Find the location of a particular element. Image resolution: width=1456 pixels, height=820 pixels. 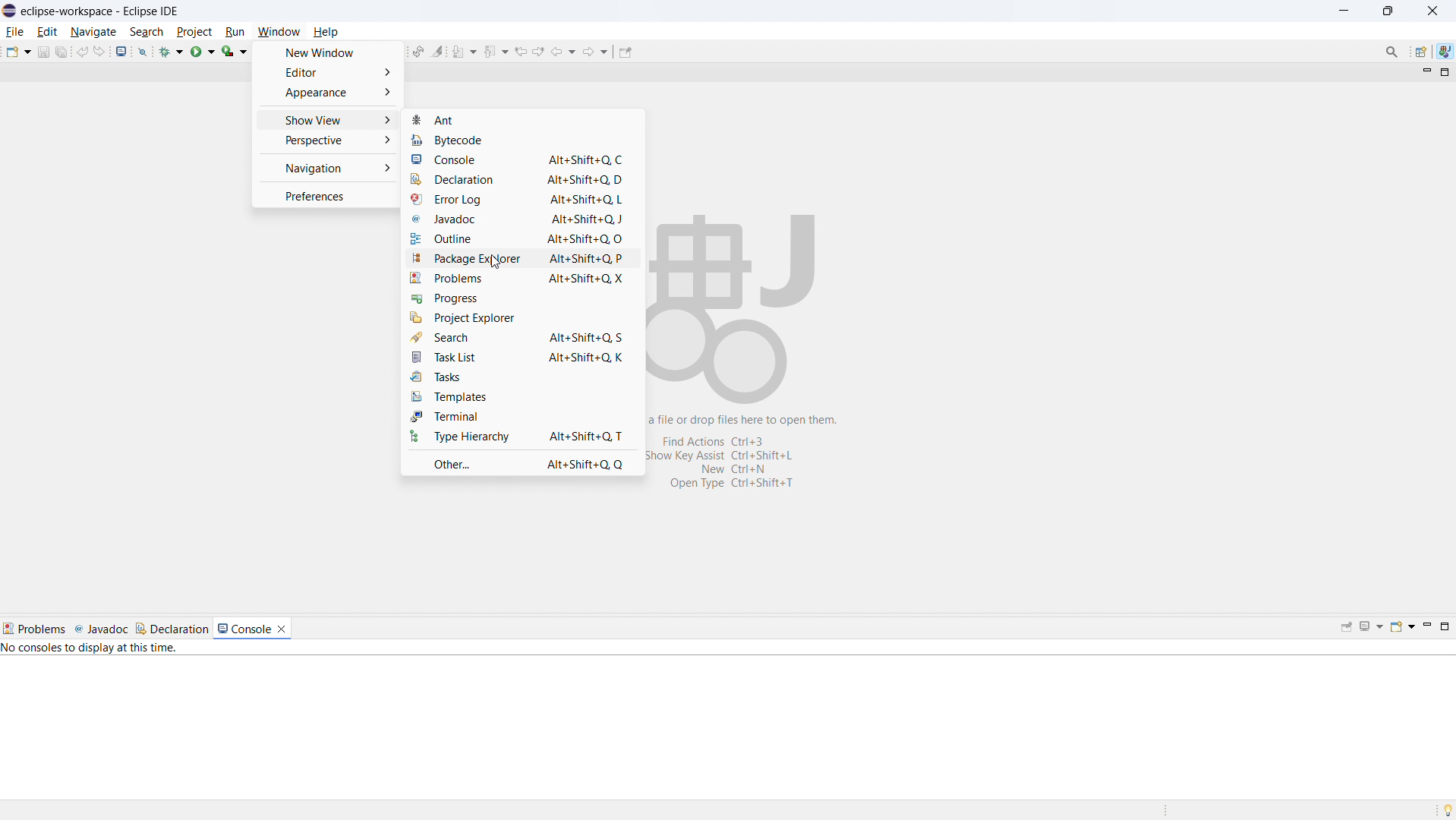

undo is located at coordinates (82, 52).